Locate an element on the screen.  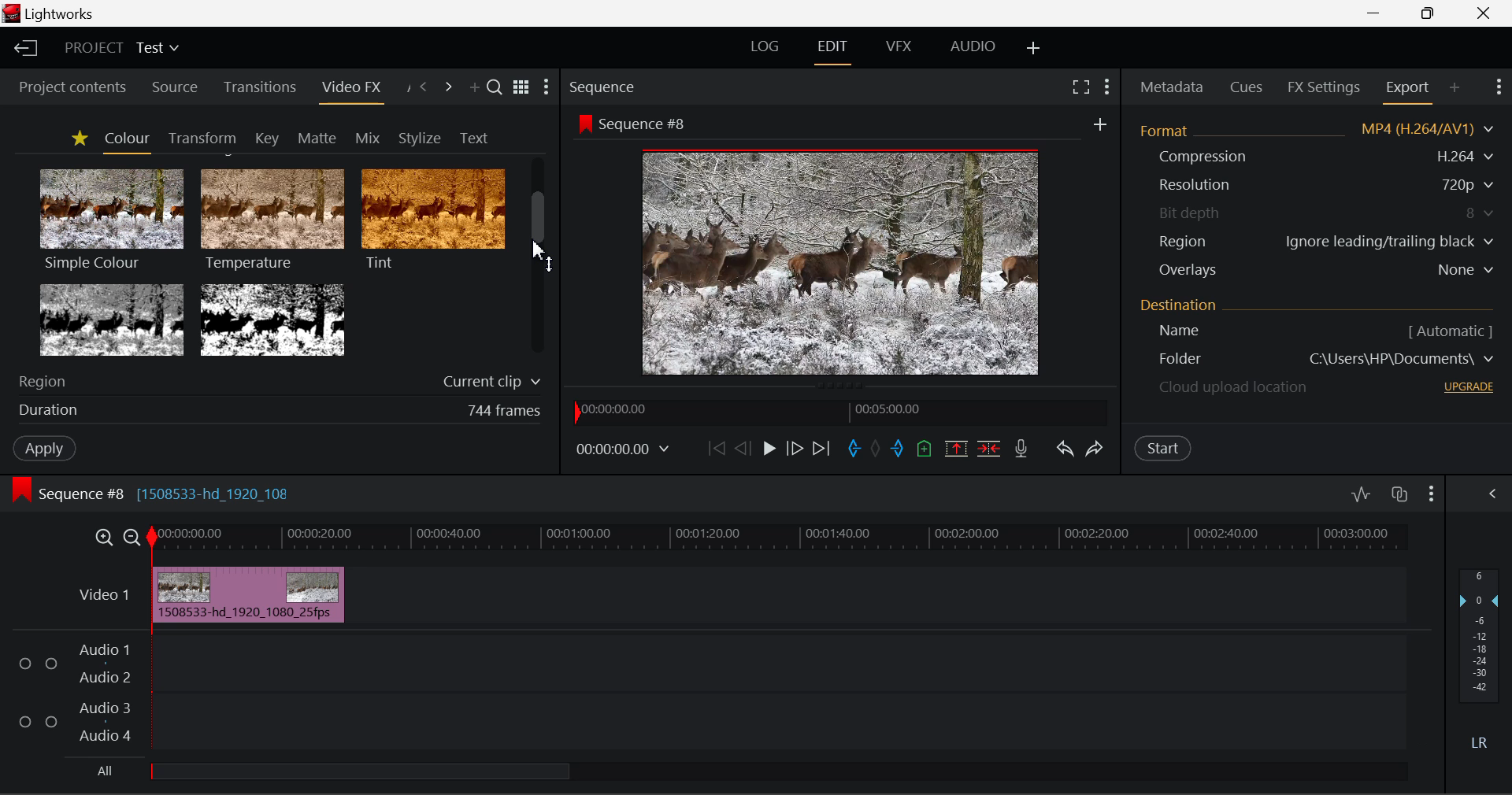
Undo is located at coordinates (1063, 448).